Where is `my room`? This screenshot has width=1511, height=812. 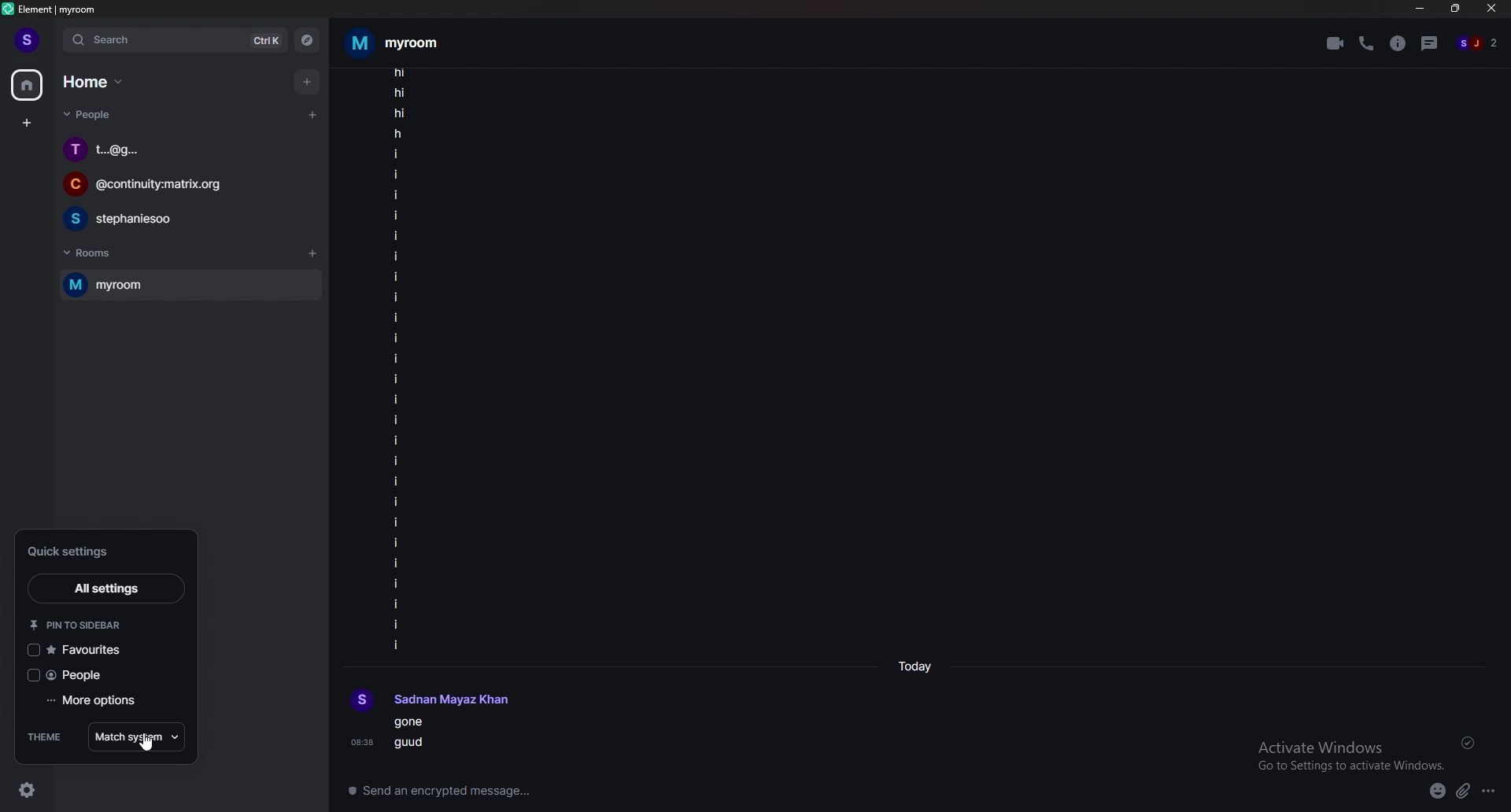
my room is located at coordinates (190, 285).